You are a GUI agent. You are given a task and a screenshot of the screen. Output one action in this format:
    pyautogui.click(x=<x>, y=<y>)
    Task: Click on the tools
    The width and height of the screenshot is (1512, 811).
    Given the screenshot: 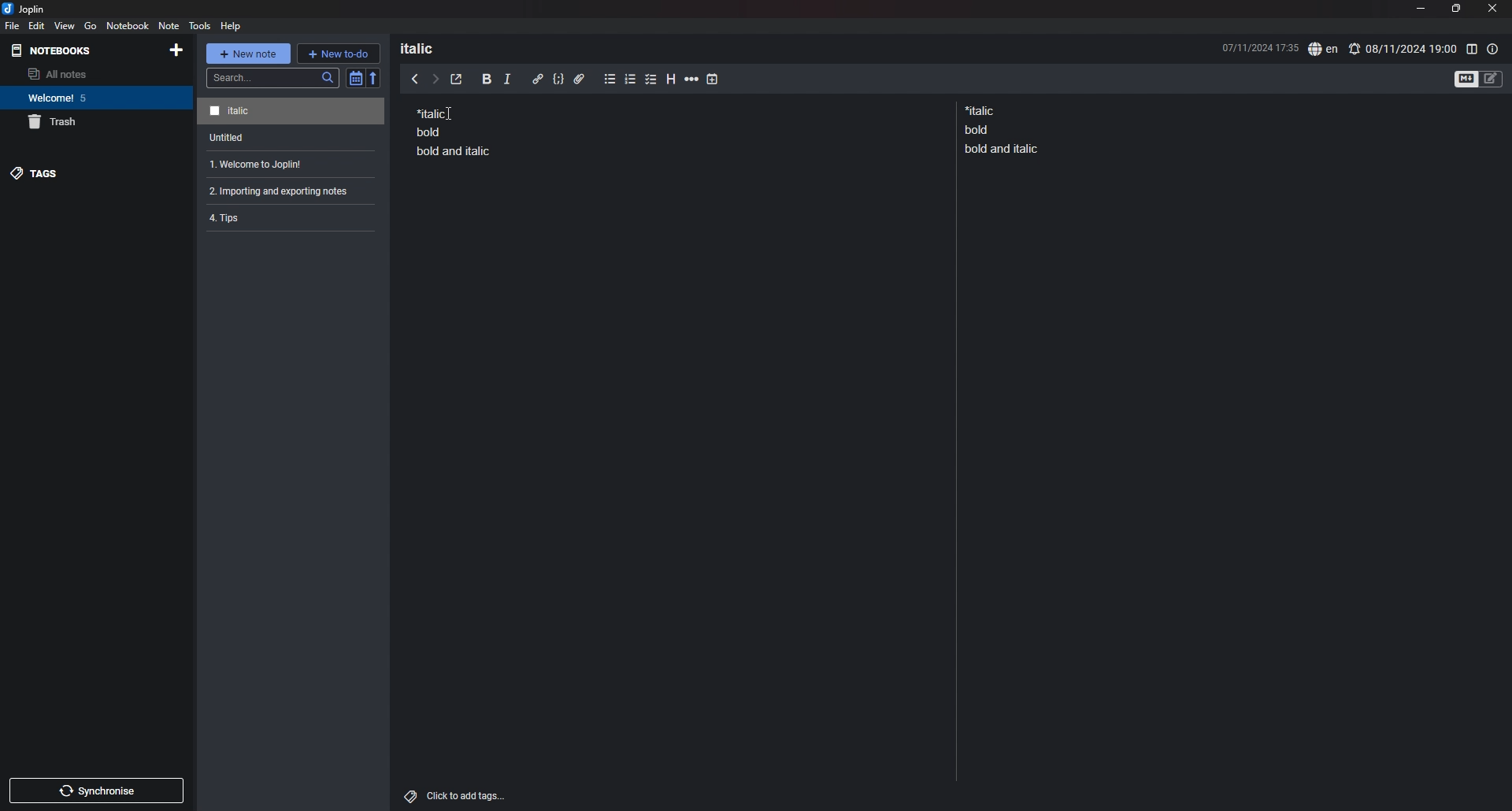 What is the action you would take?
    pyautogui.click(x=200, y=25)
    